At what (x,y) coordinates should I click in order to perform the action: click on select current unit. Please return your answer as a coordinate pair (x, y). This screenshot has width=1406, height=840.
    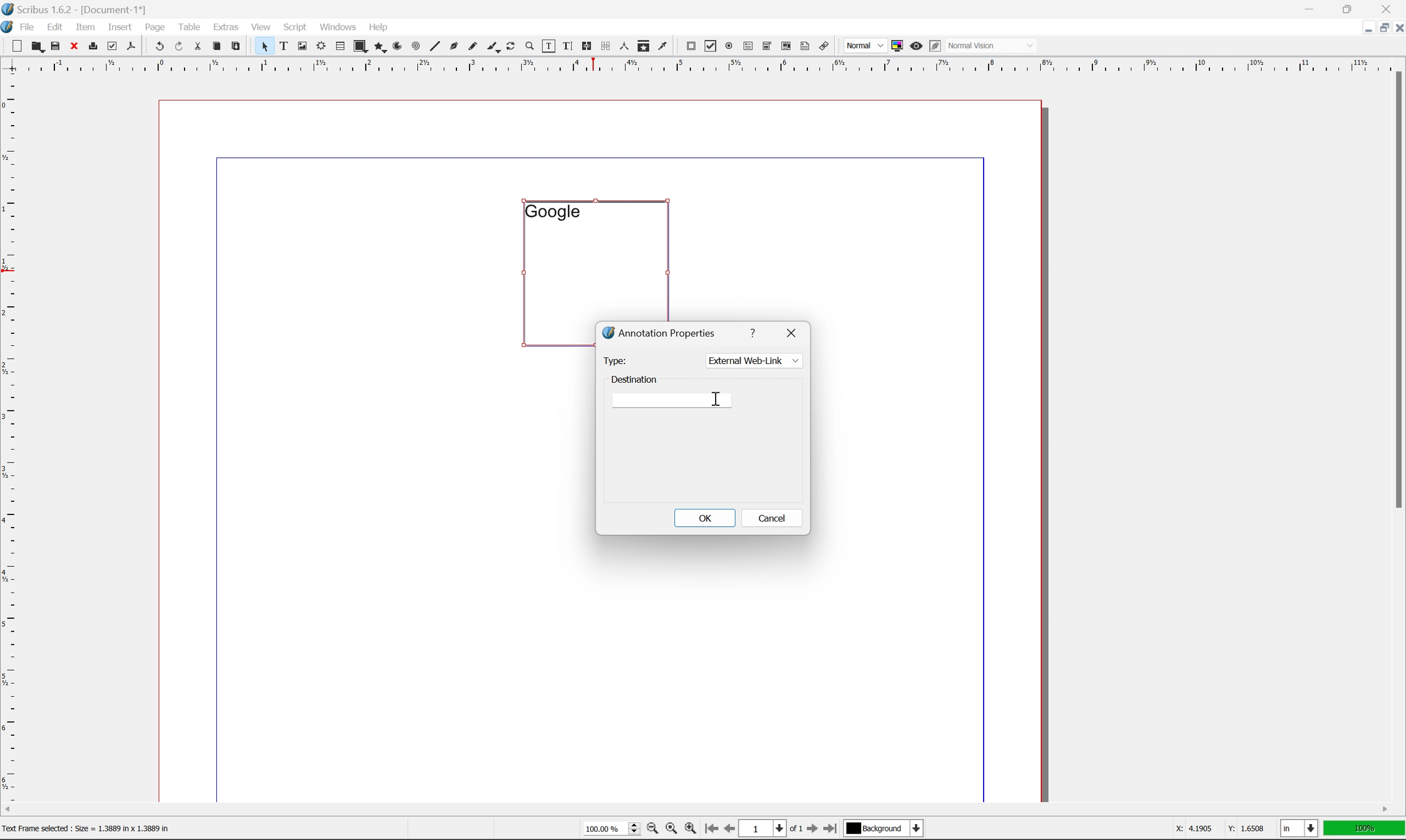
    Looking at the image, I should click on (1301, 829).